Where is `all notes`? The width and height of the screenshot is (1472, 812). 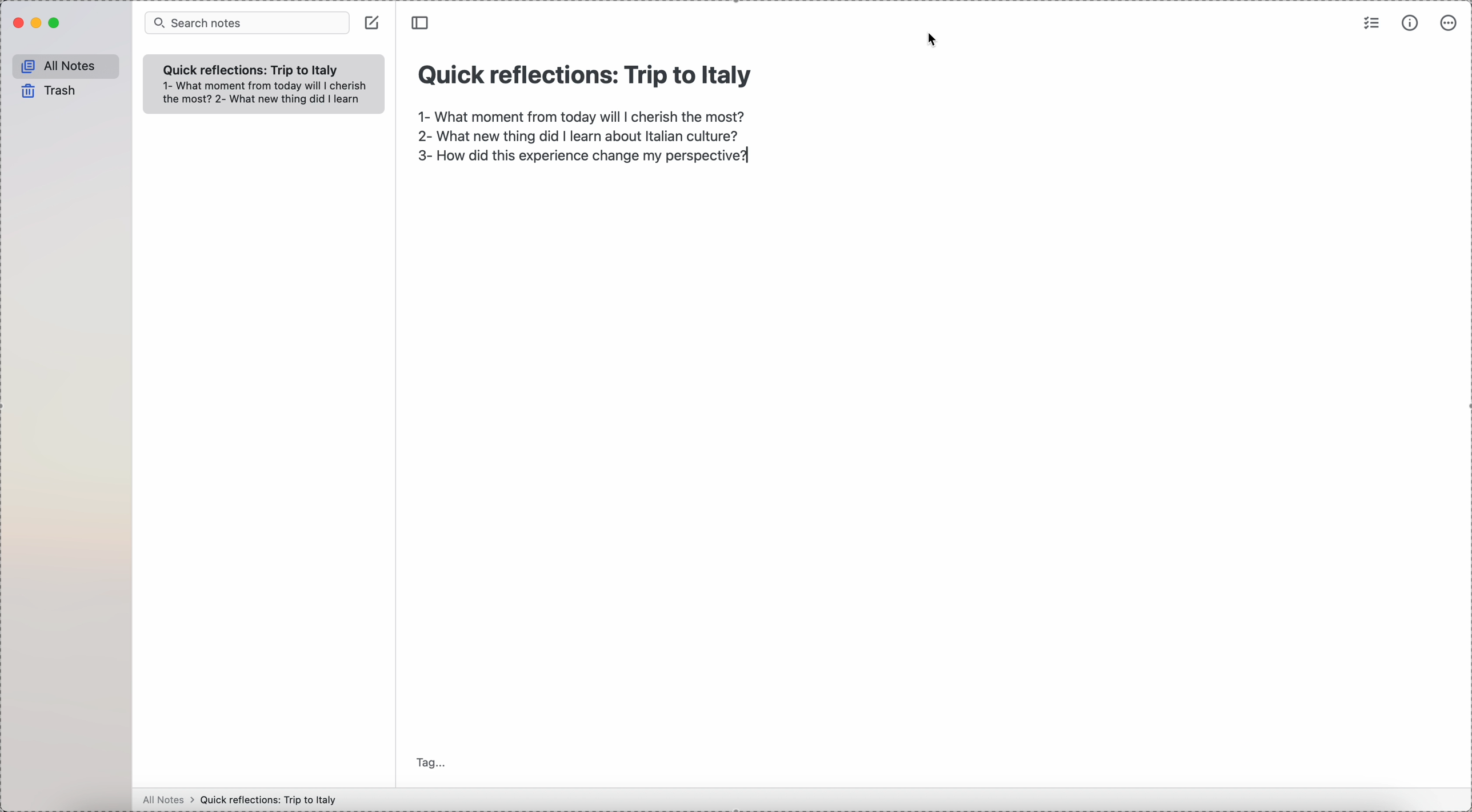 all notes is located at coordinates (165, 801).